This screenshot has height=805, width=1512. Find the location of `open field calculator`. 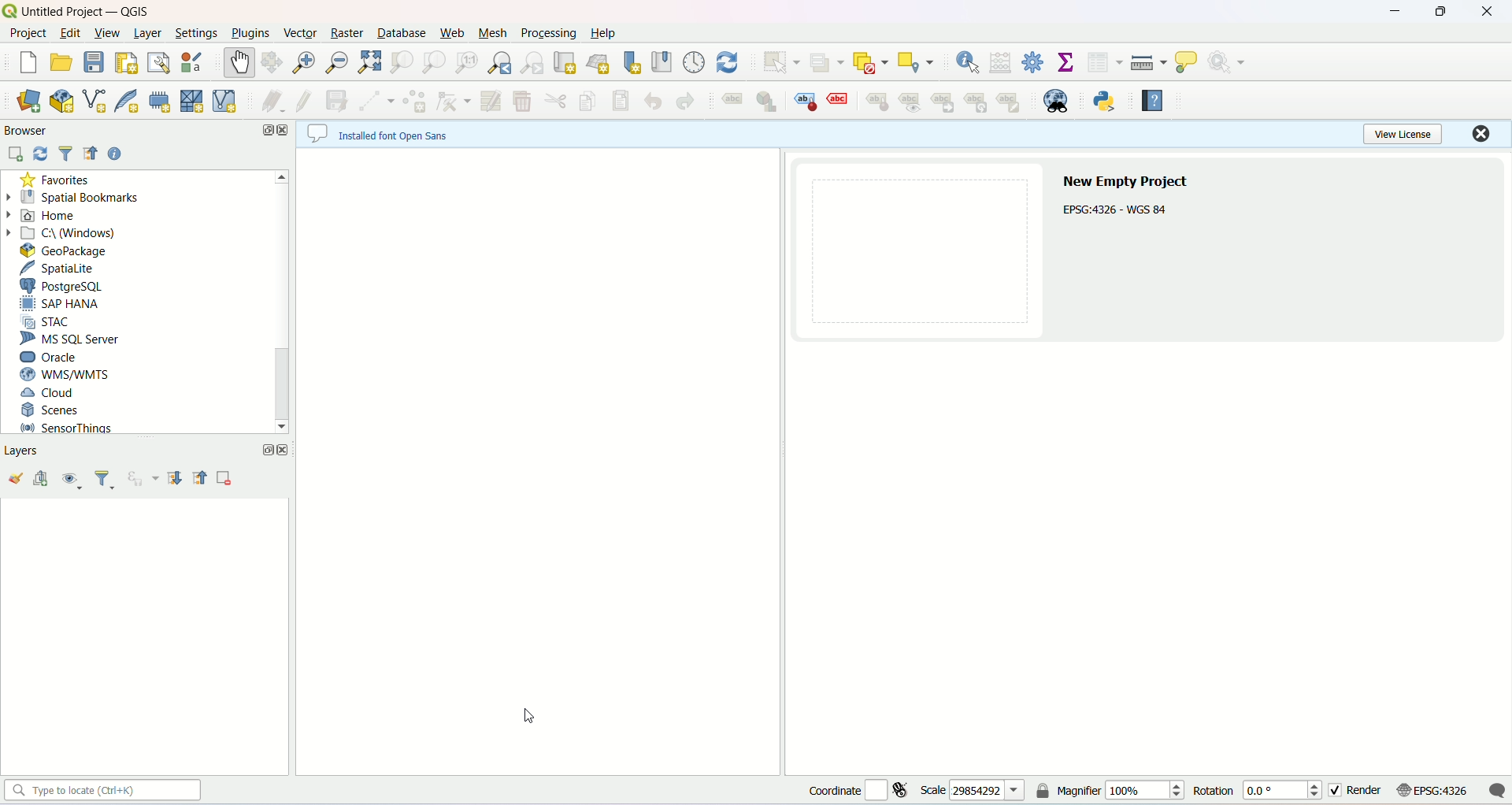

open field calculator is located at coordinates (1002, 64).